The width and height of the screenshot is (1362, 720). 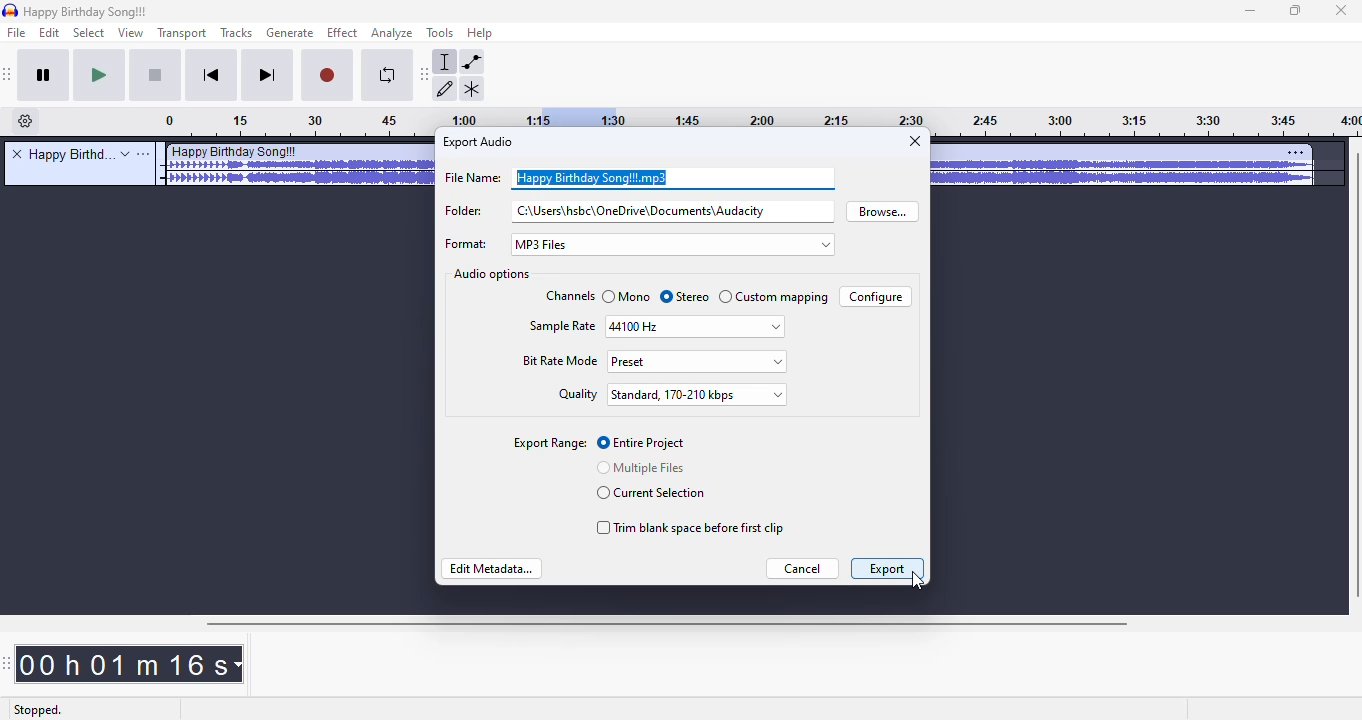 What do you see at coordinates (130, 664) in the screenshot?
I see `00 h 01 m 16 s` at bounding box center [130, 664].